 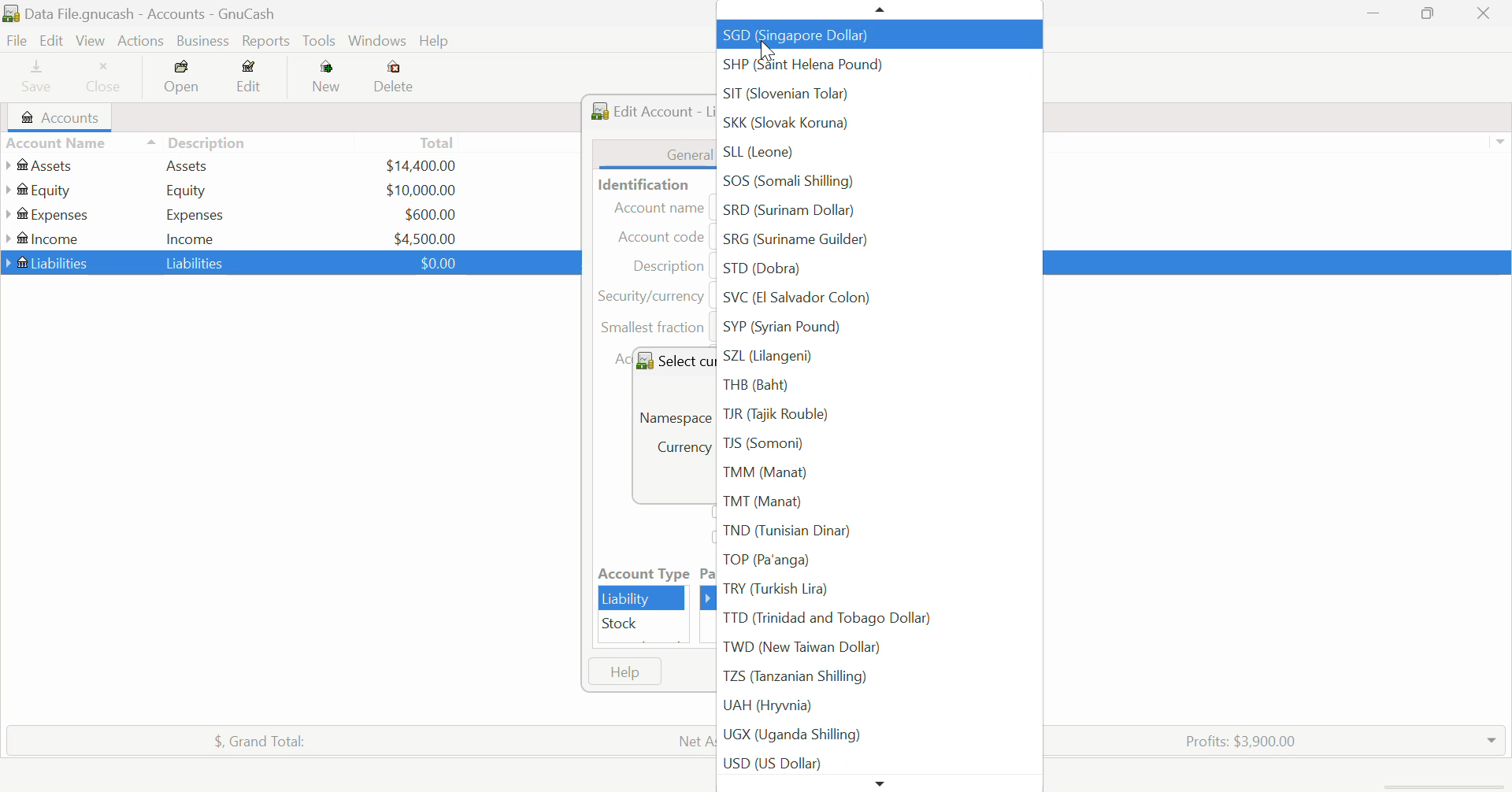 I want to click on Expenses, so click(x=195, y=214).